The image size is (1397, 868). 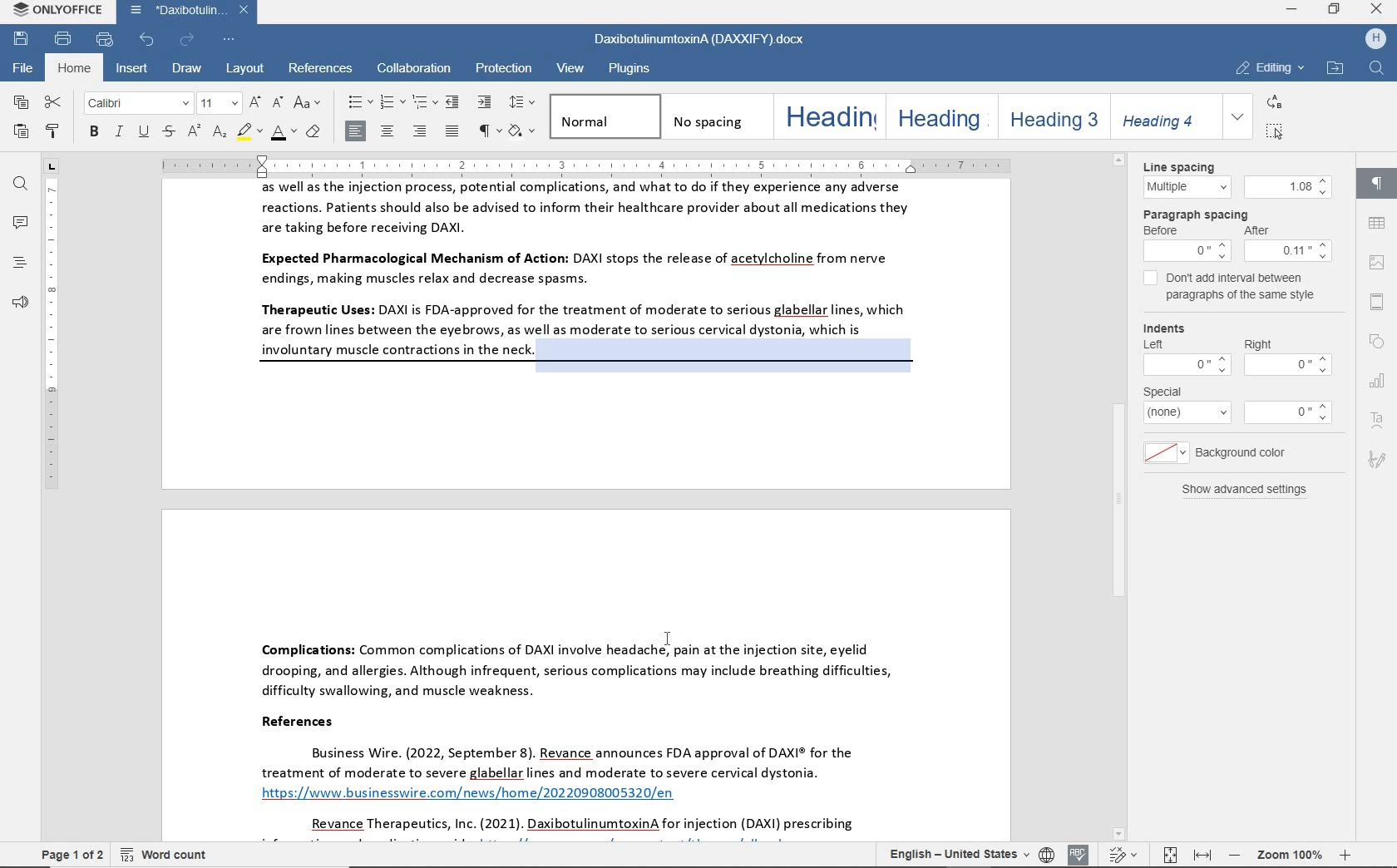 What do you see at coordinates (1335, 69) in the screenshot?
I see `open file location` at bounding box center [1335, 69].